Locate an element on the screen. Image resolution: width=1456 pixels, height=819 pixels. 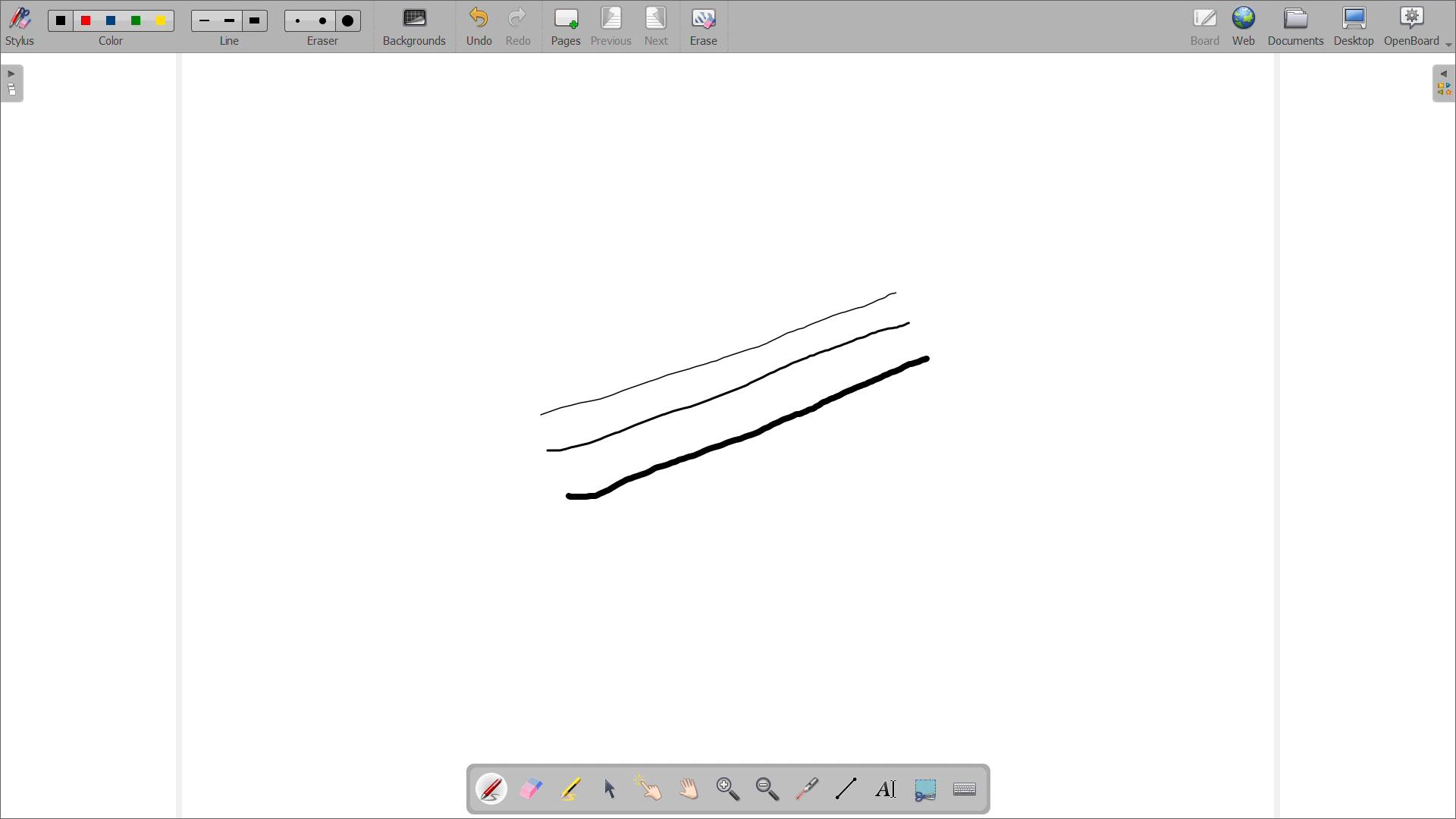
desktop is located at coordinates (1354, 27).